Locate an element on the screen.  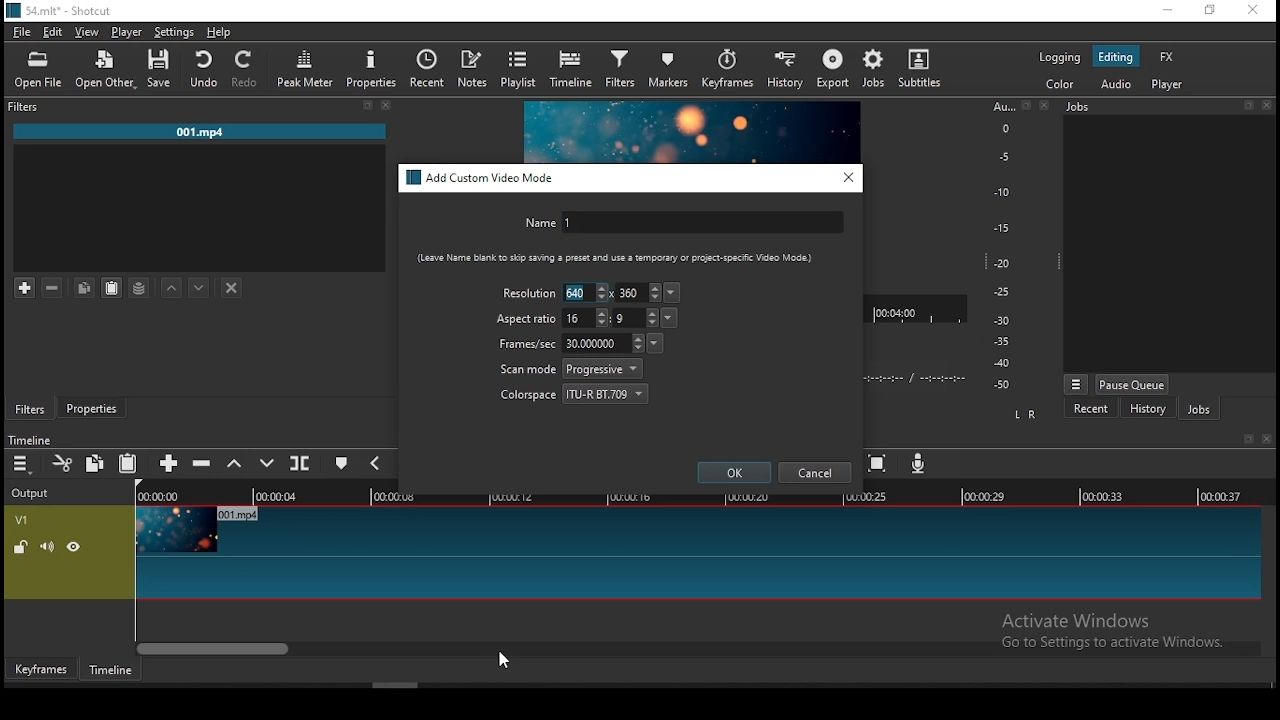
-30 is located at coordinates (1005, 320).